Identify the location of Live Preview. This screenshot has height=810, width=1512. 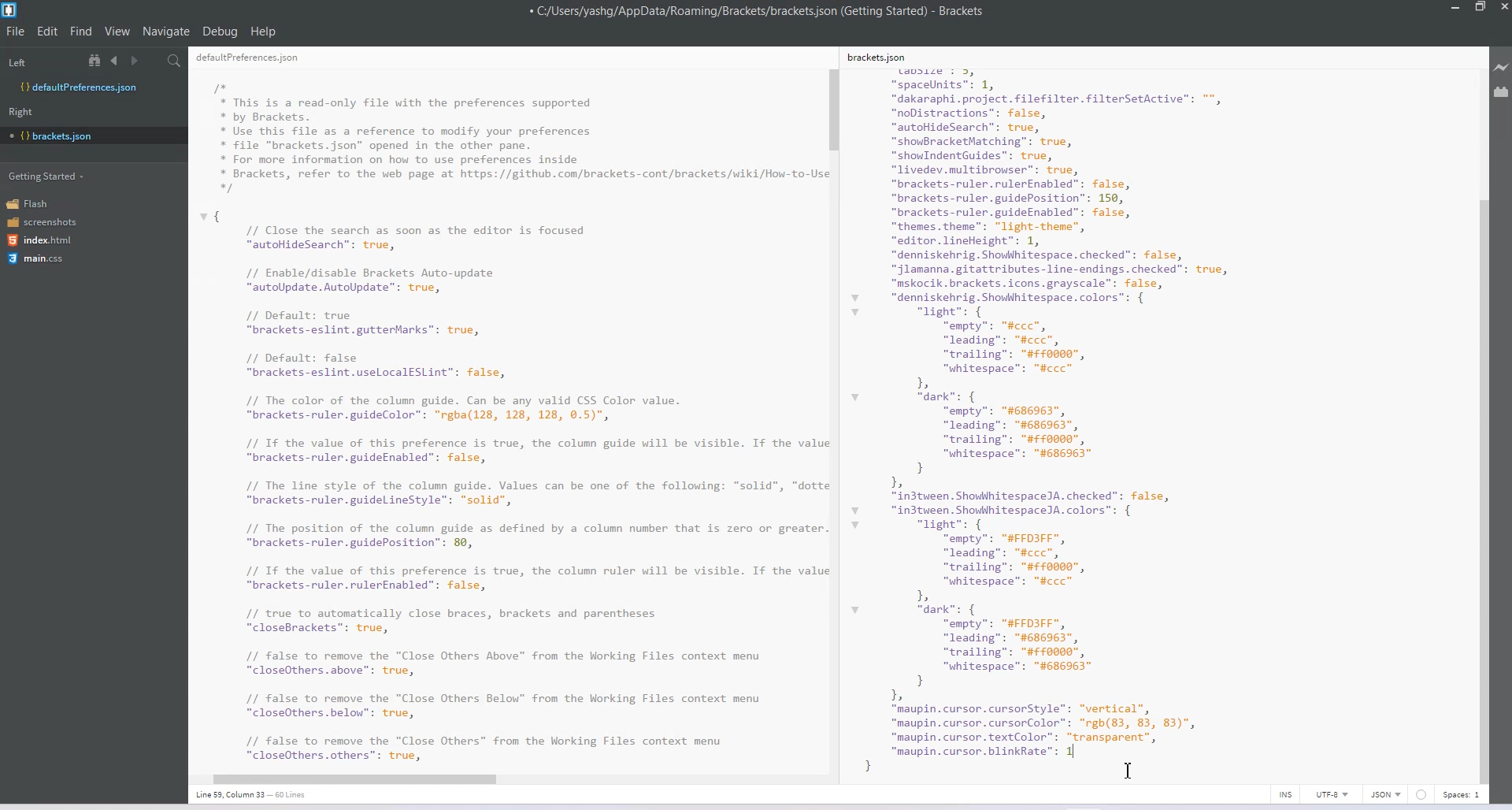
(1502, 68).